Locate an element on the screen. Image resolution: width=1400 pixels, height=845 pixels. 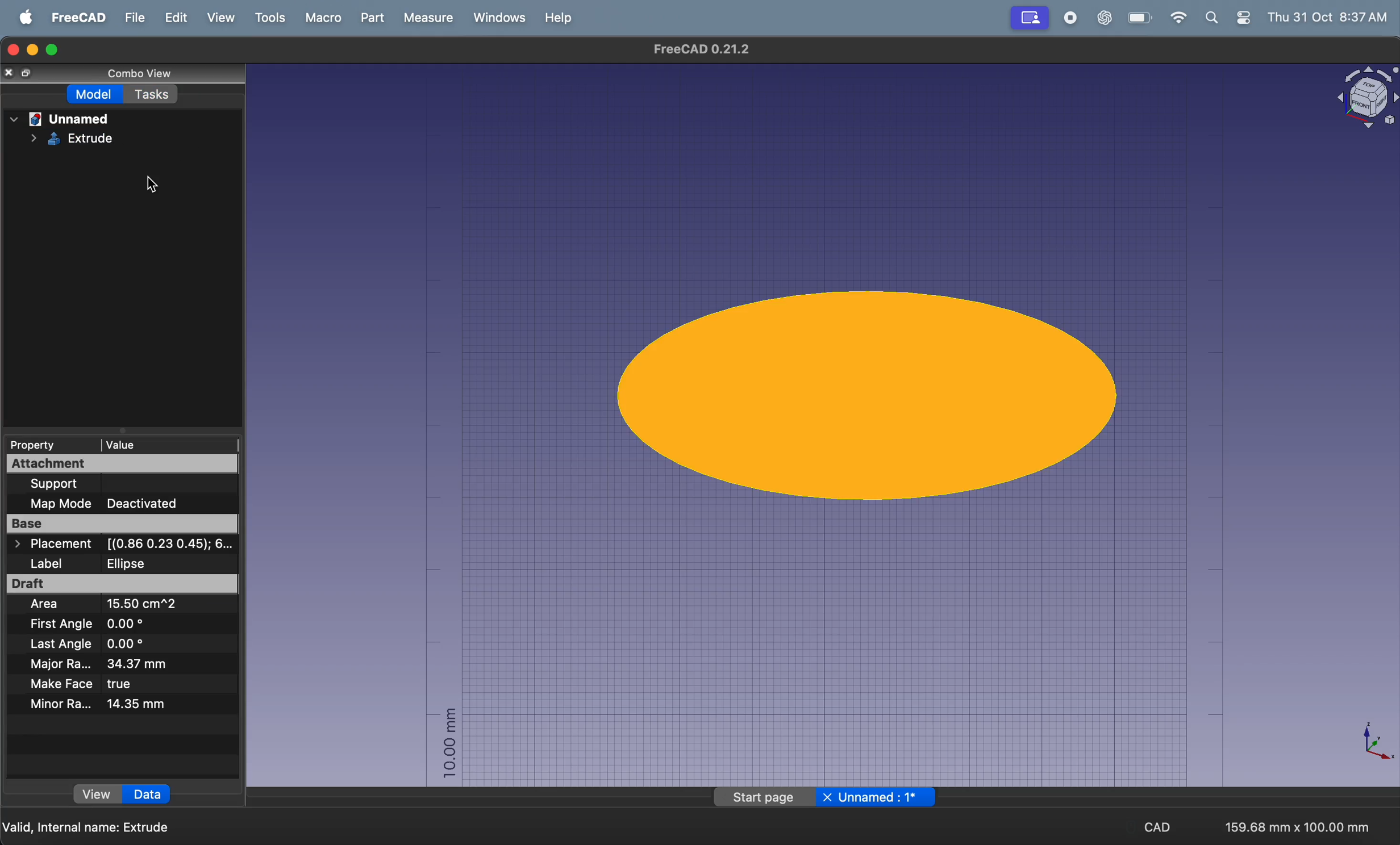
view data is located at coordinates (121, 794).